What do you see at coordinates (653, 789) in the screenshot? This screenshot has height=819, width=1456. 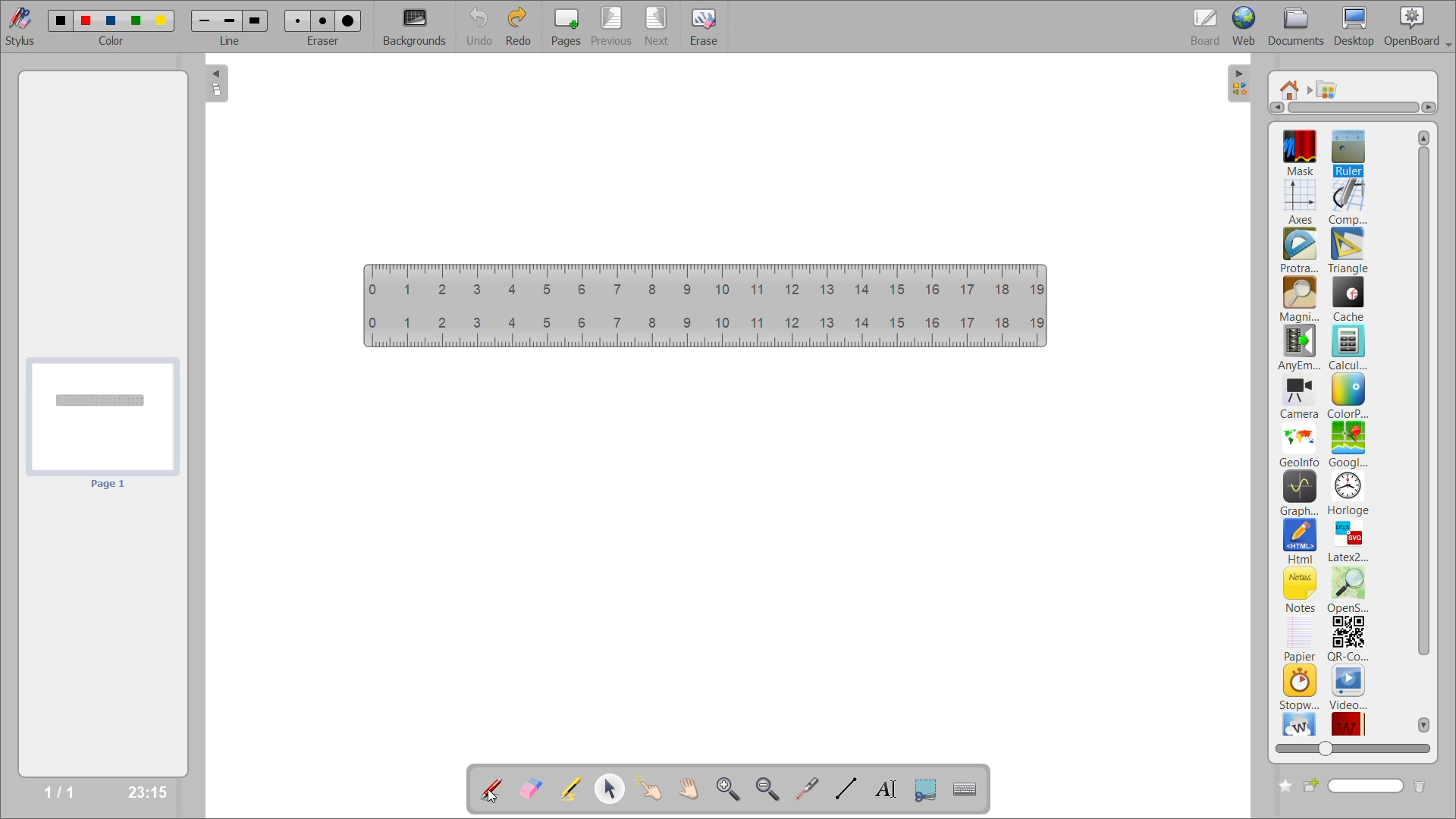 I see `interact with items` at bounding box center [653, 789].